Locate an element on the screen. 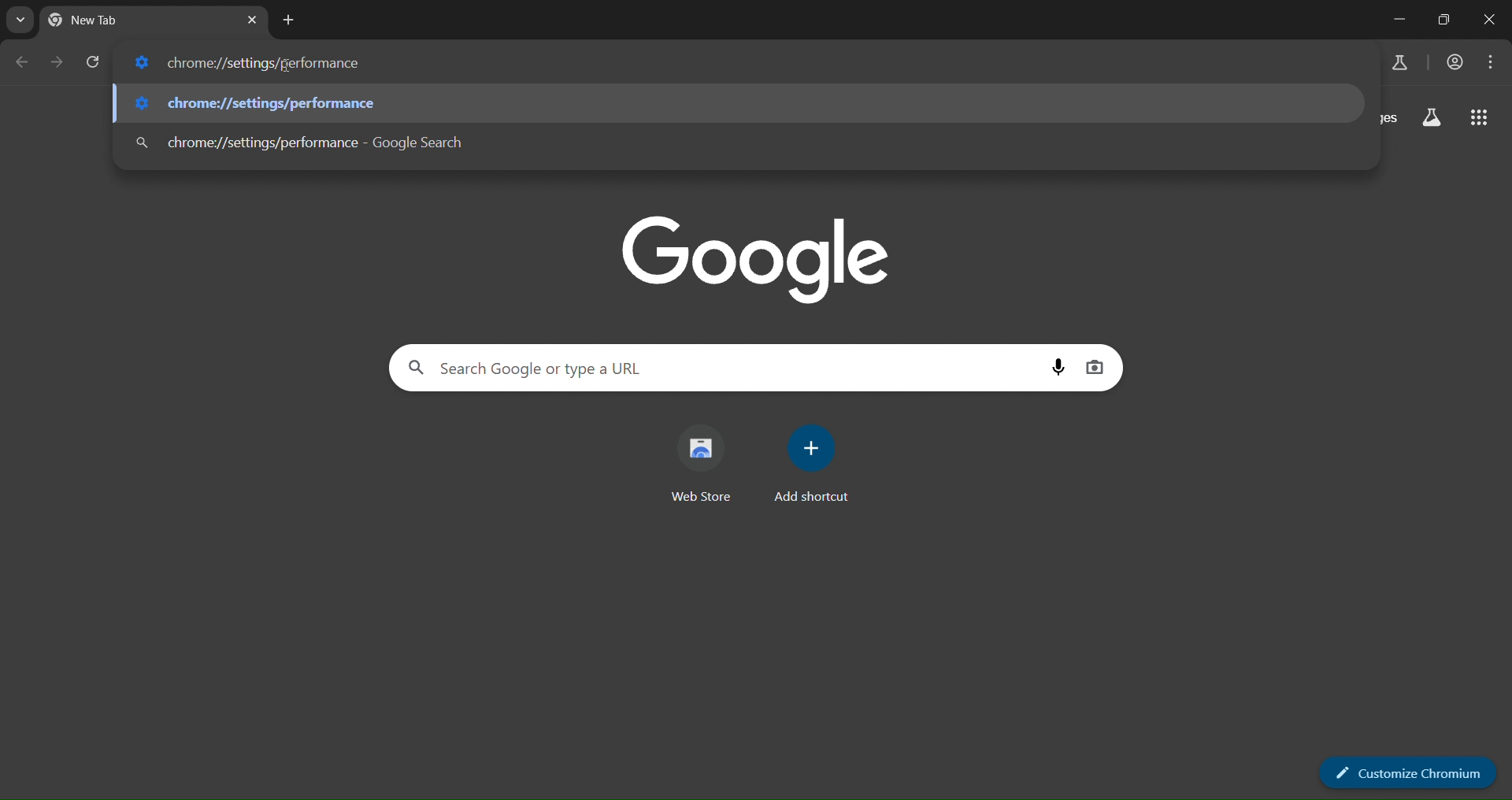 This screenshot has height=800, width=1512. reload is located at coordinates (98, 64).